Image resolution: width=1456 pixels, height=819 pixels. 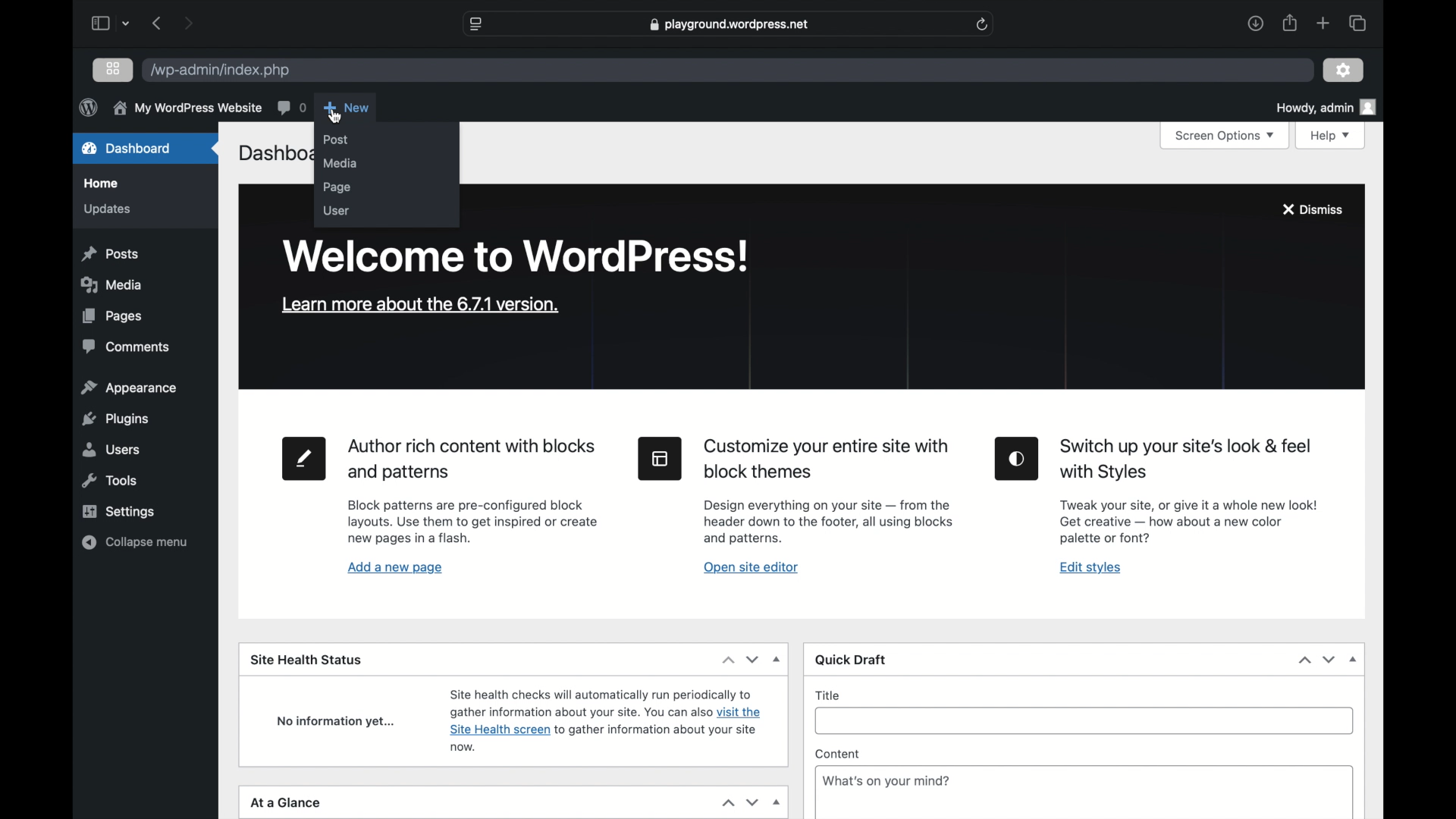 What do you see at coordinates (778, 658) in the screenshot?
I see `dropdown` at bounding box center [778, 658].